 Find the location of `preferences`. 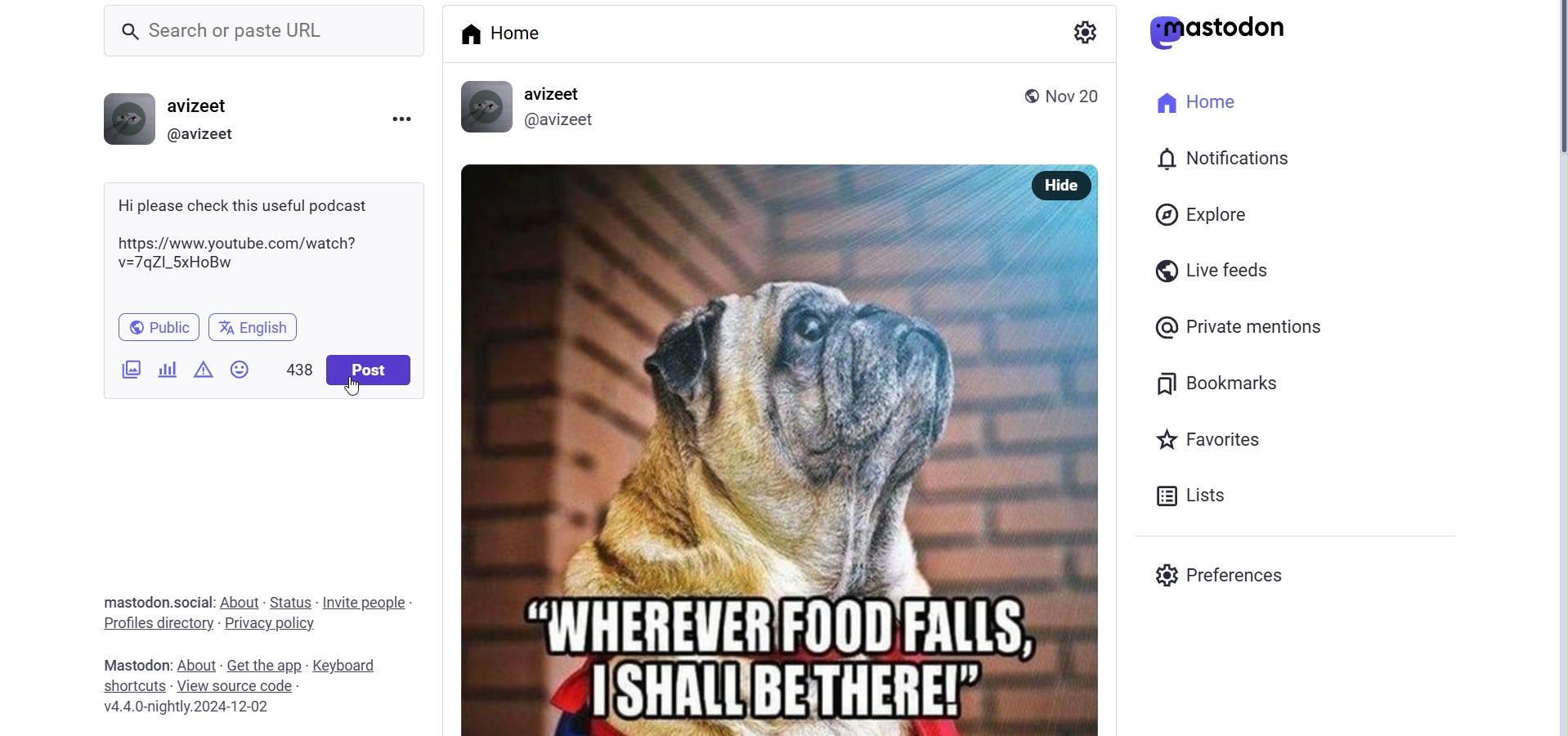

preferences is located at coordinates (1221, 574).